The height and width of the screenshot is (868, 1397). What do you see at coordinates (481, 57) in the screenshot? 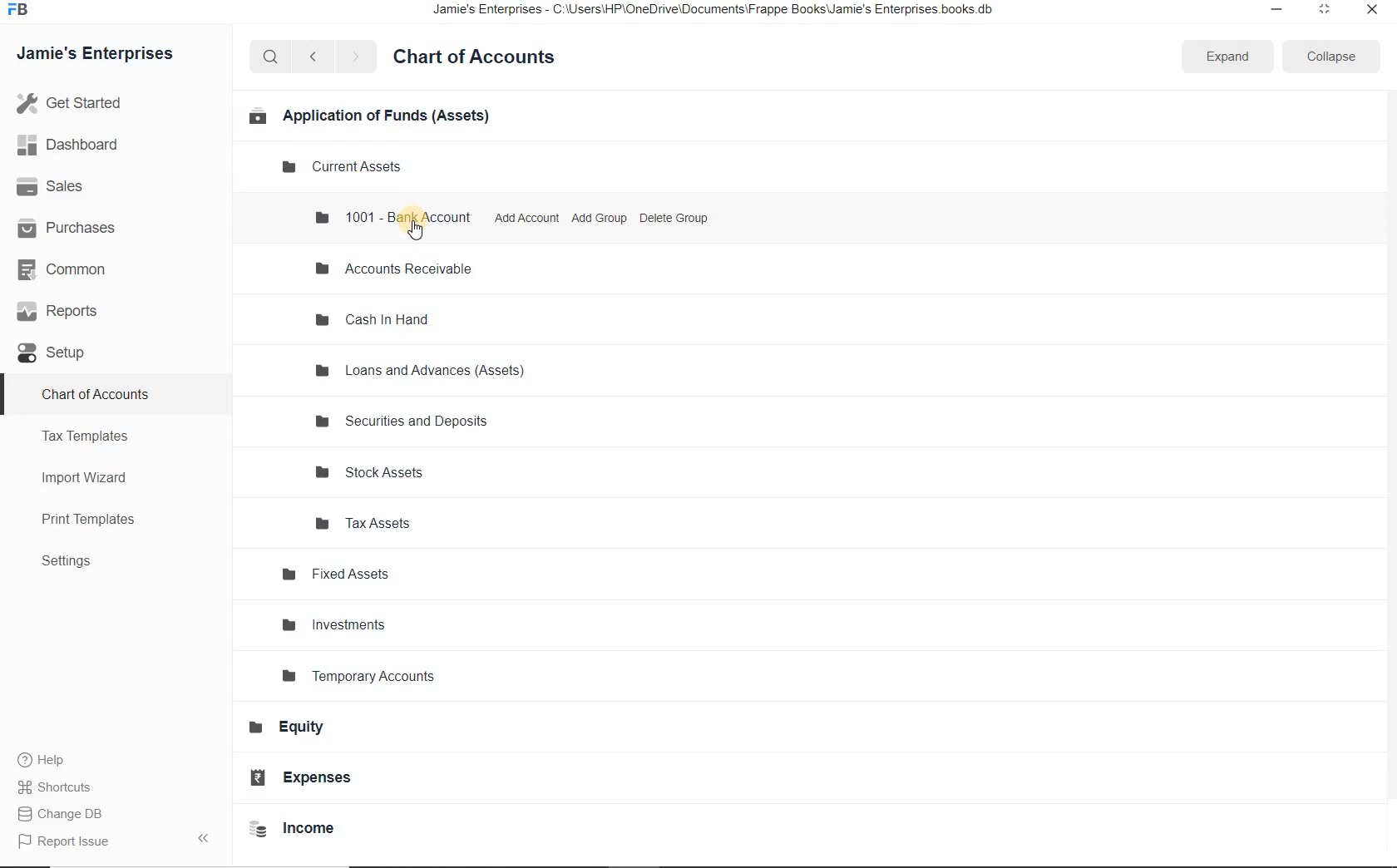
I see `Chart of Accounts` at bounding box center [481, 57].